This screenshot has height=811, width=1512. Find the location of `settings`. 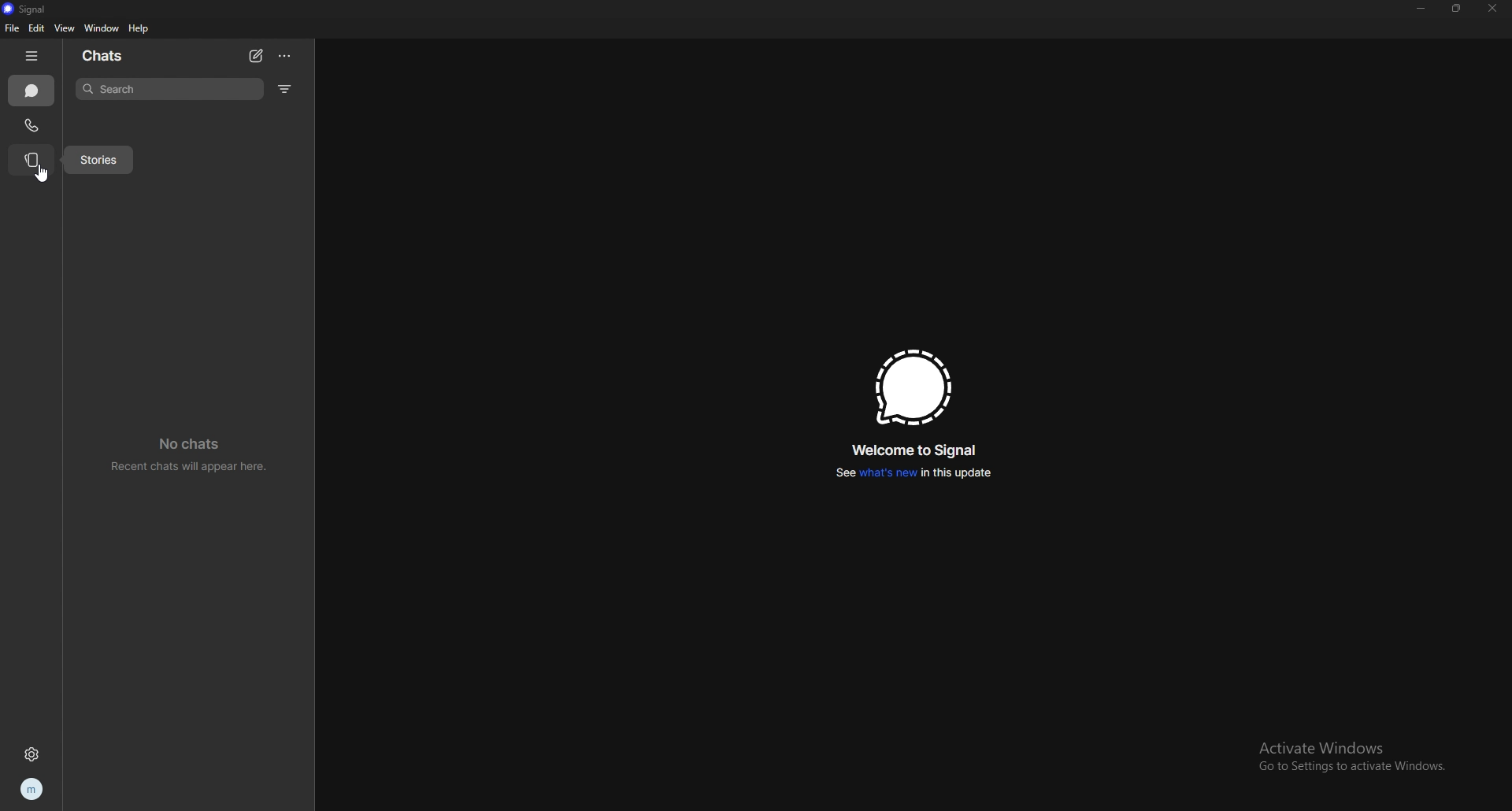

settings is located at coordinates (31, 755).